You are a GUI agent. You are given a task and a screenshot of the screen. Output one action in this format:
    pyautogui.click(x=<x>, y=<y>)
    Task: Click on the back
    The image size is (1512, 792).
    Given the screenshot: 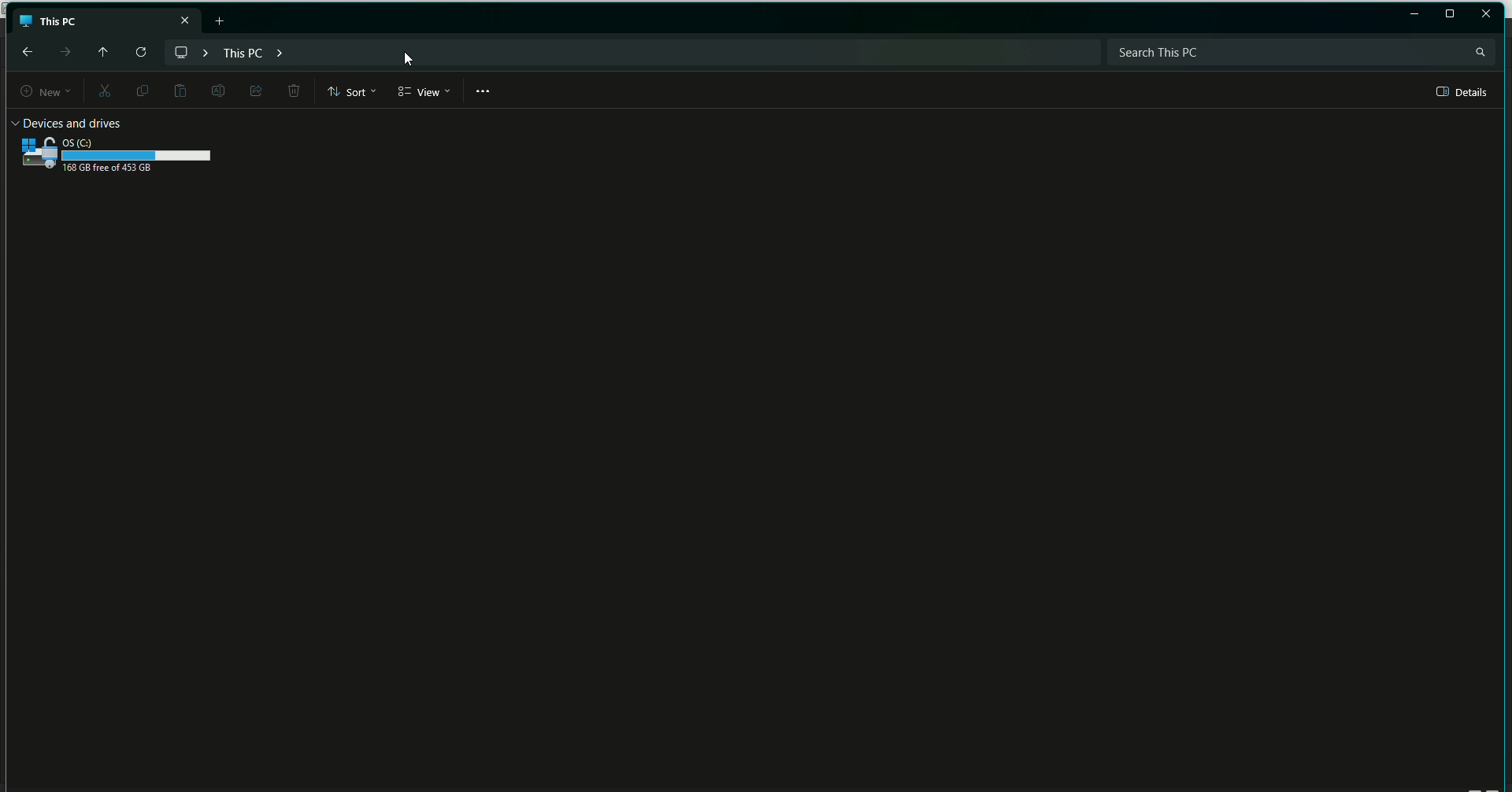 What is the action you would take?
    pyautogui.click(x=25, y=51)
    